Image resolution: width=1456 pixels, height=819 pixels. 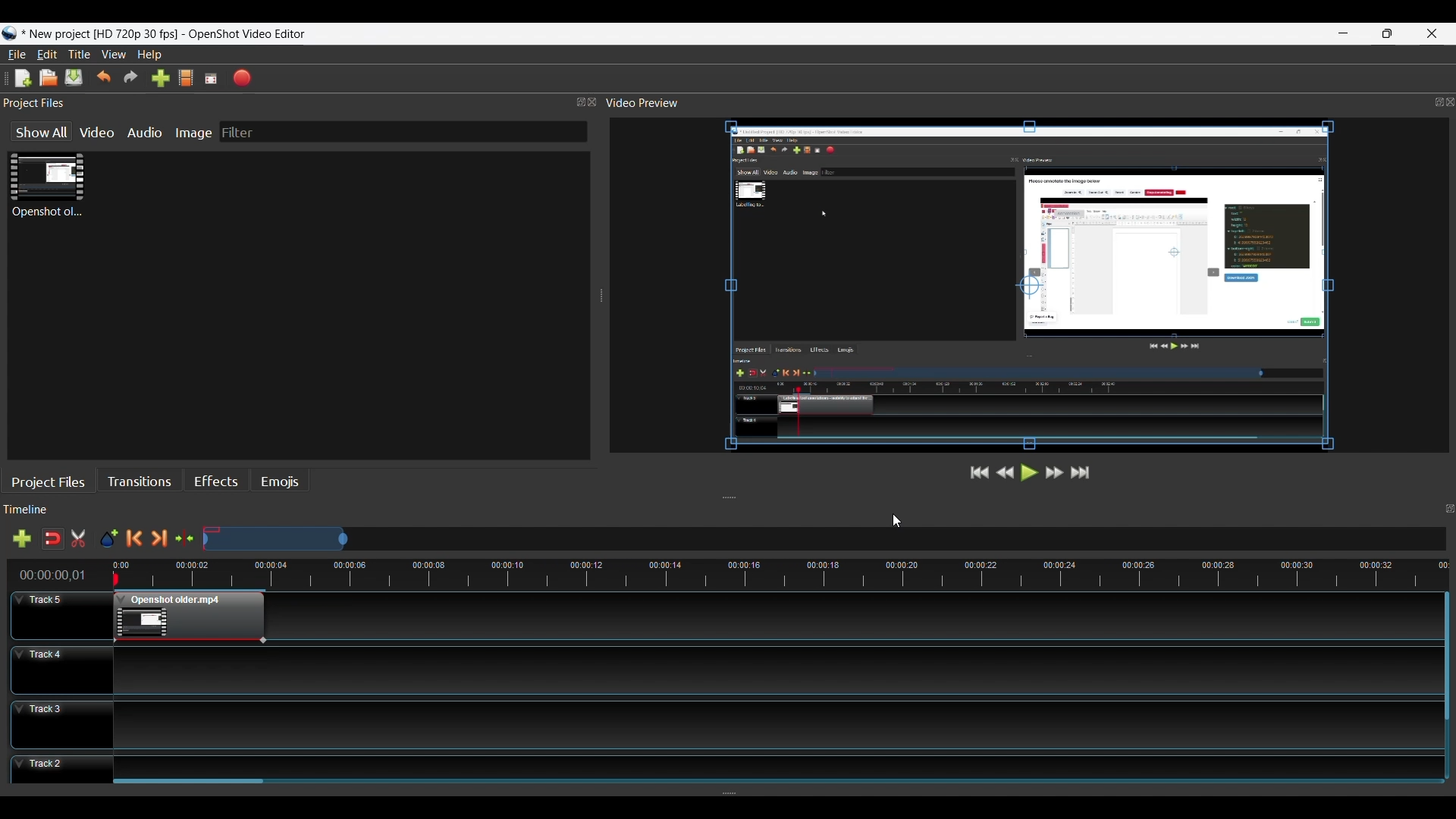 What do you see at coordinates (15, 55) in the screenshot?
I see `File` at bounding box center [15, 55].